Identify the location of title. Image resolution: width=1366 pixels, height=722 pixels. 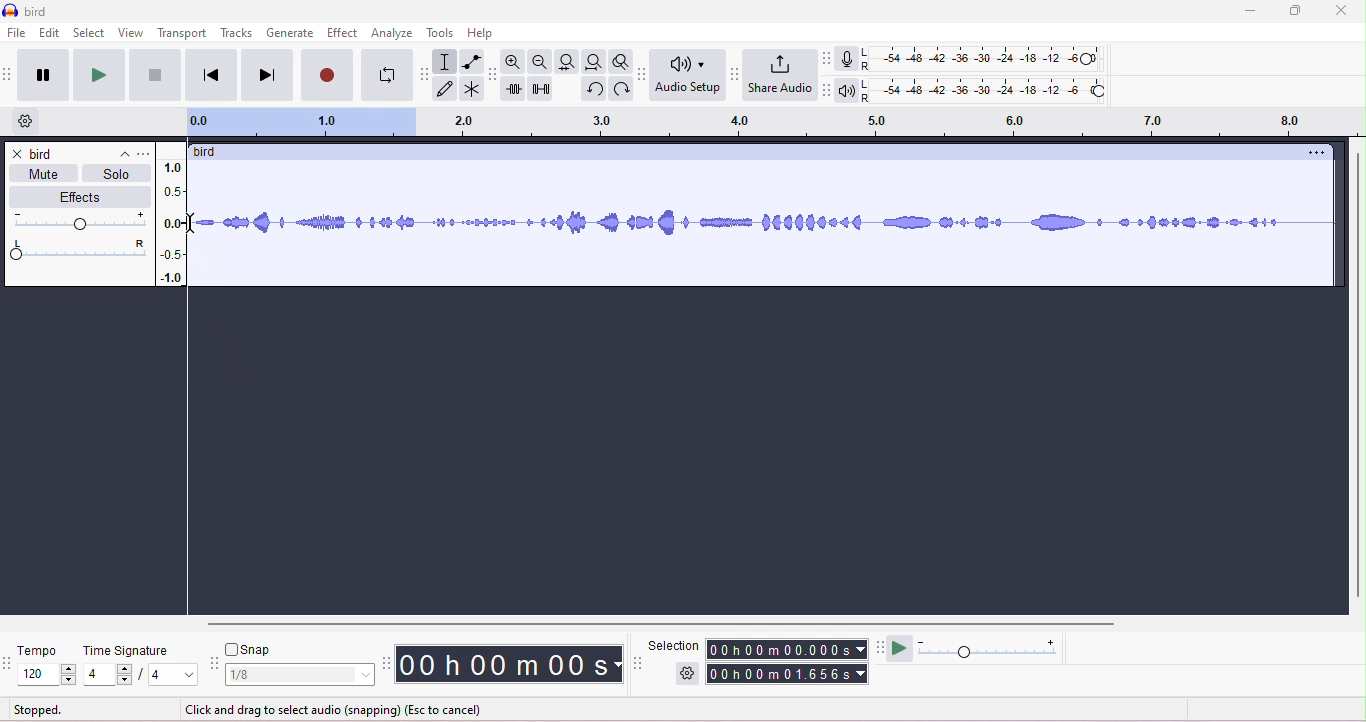
(28, 12).